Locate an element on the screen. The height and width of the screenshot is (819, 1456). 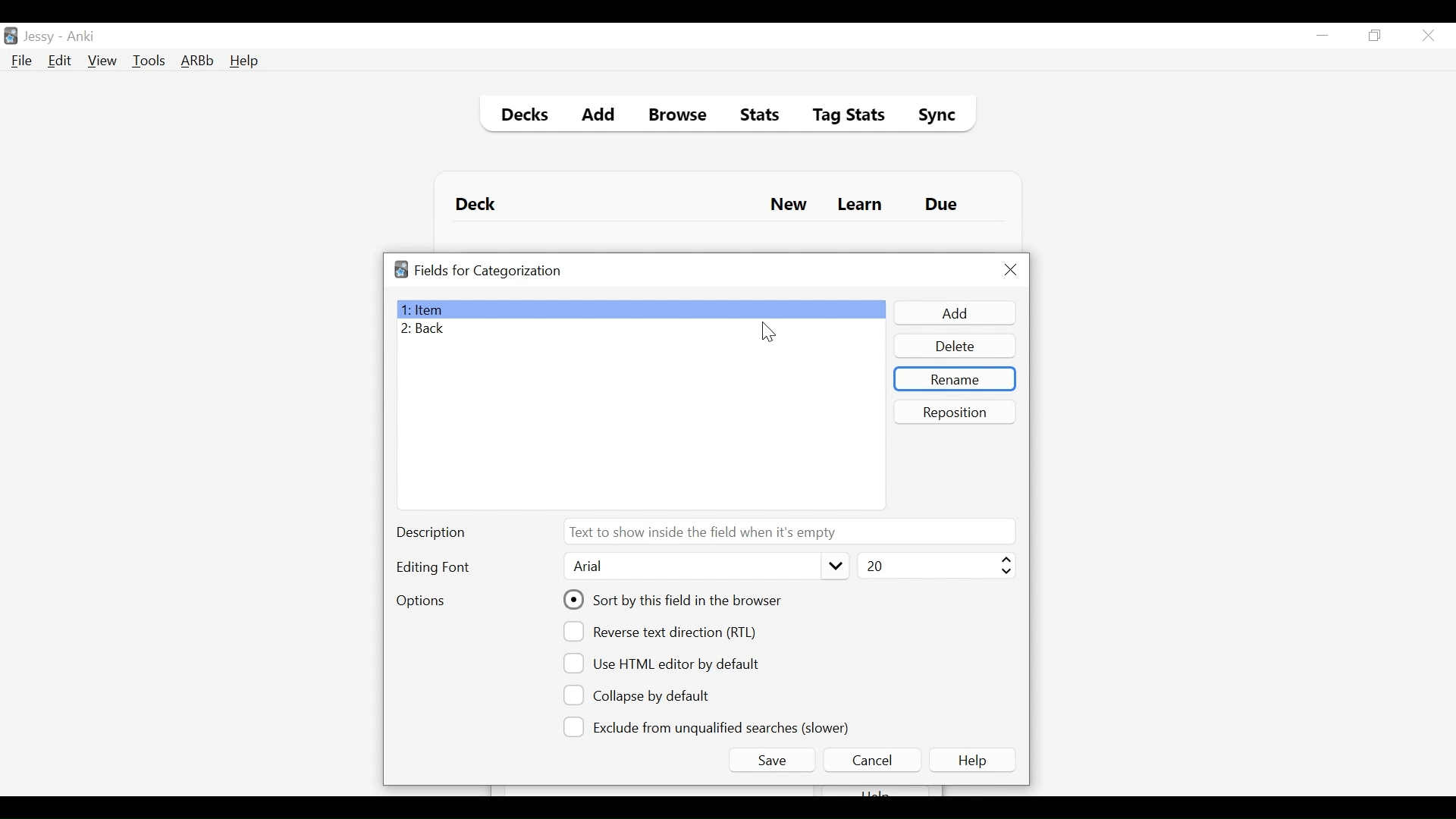
(un)select Sort by this field in the browser is located at coordinates (675, 600).